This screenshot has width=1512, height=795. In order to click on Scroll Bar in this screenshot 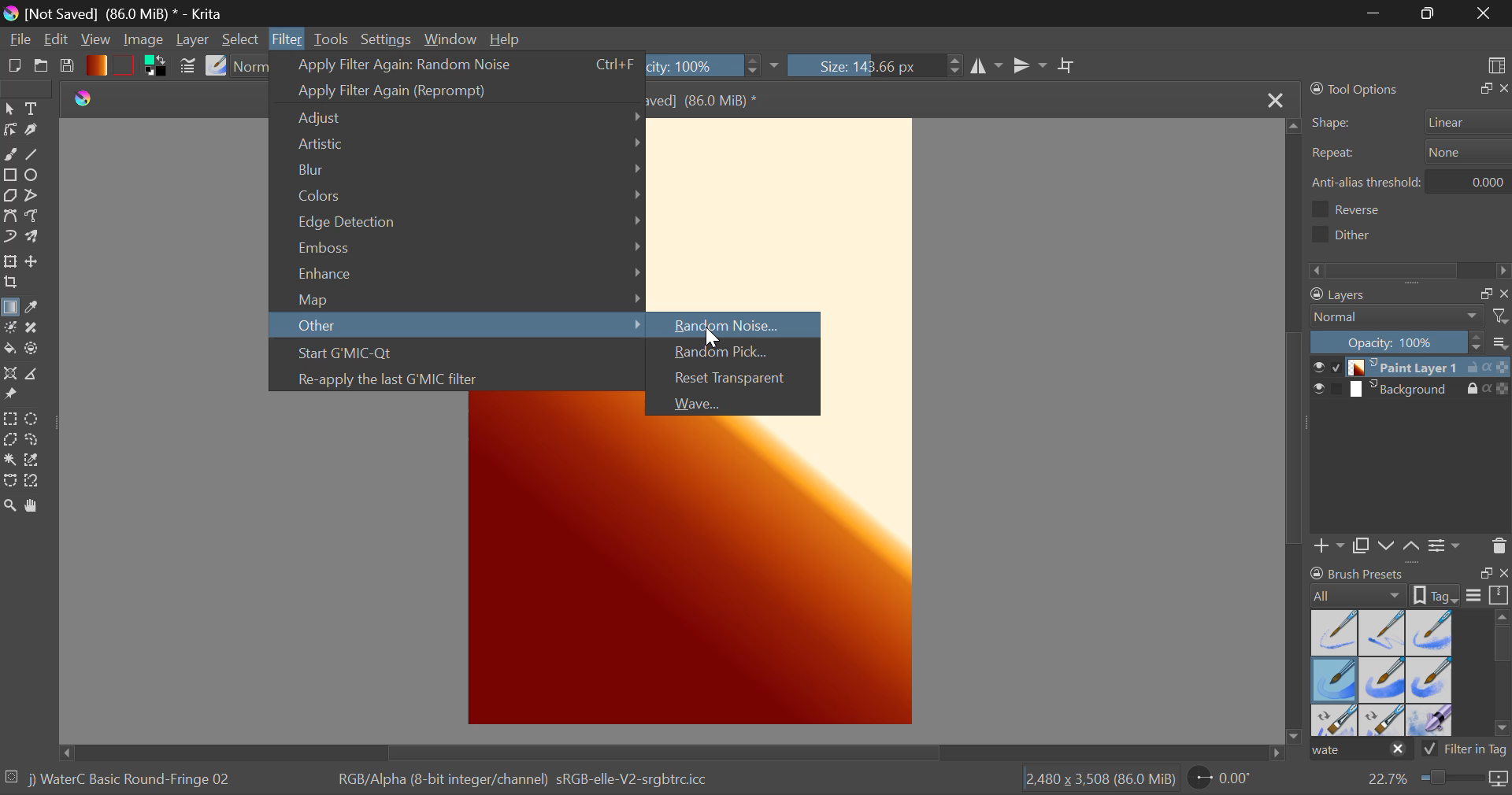, I will do `click(663, 753)`.